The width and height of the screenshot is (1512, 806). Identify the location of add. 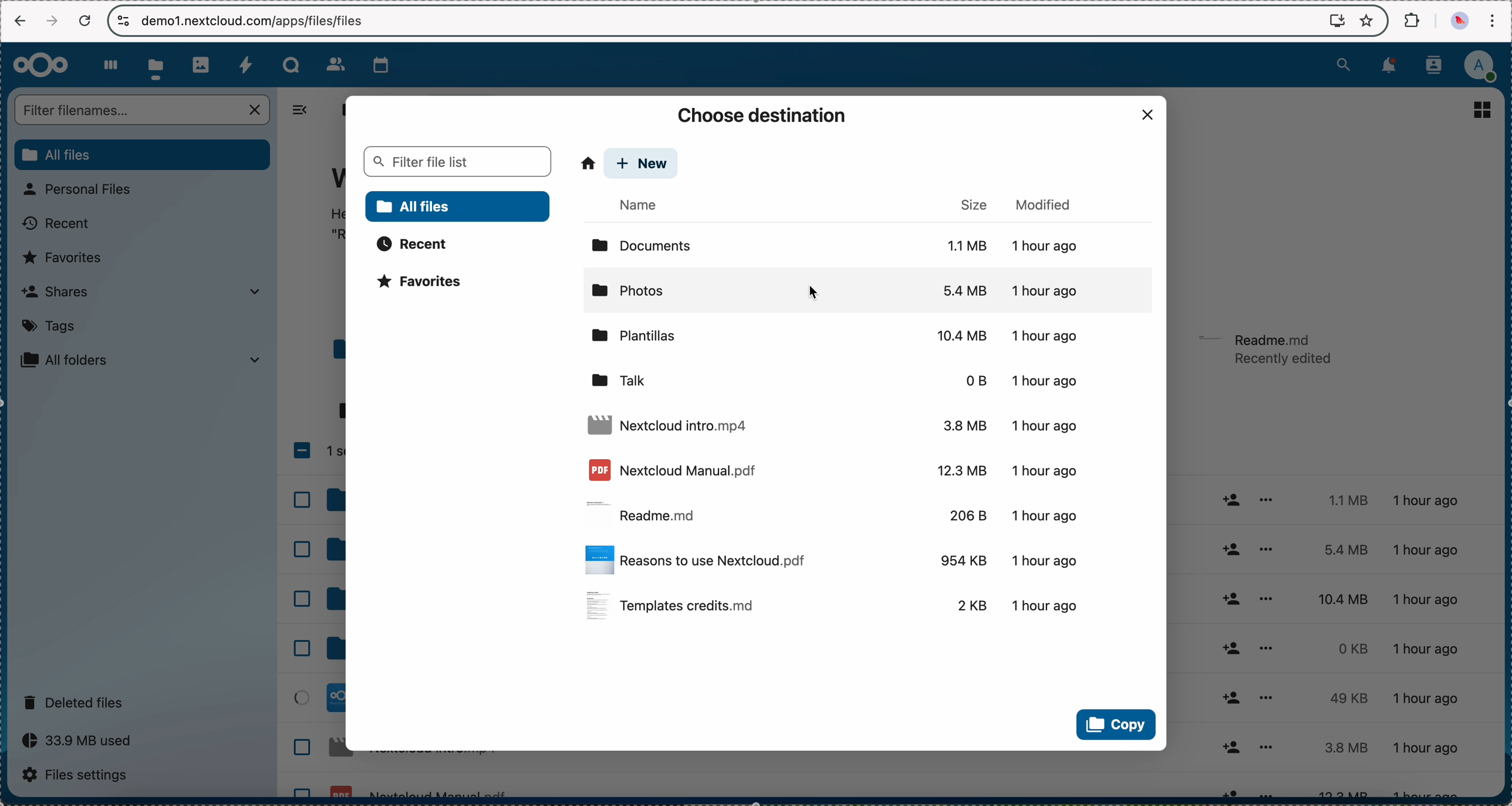
(1232, 641).